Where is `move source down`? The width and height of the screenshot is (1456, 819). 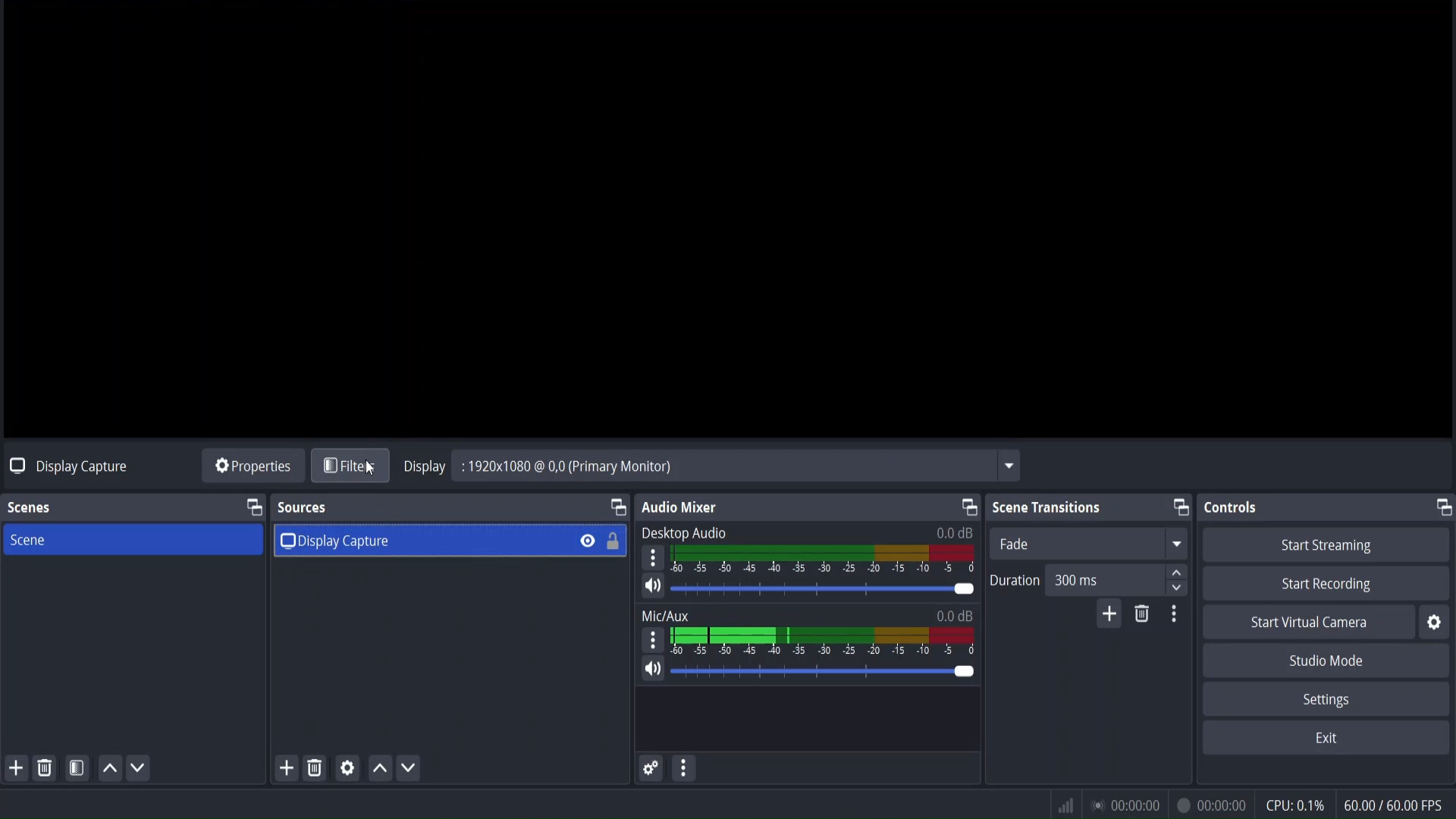 move source down is located at coordinates (409, 767).